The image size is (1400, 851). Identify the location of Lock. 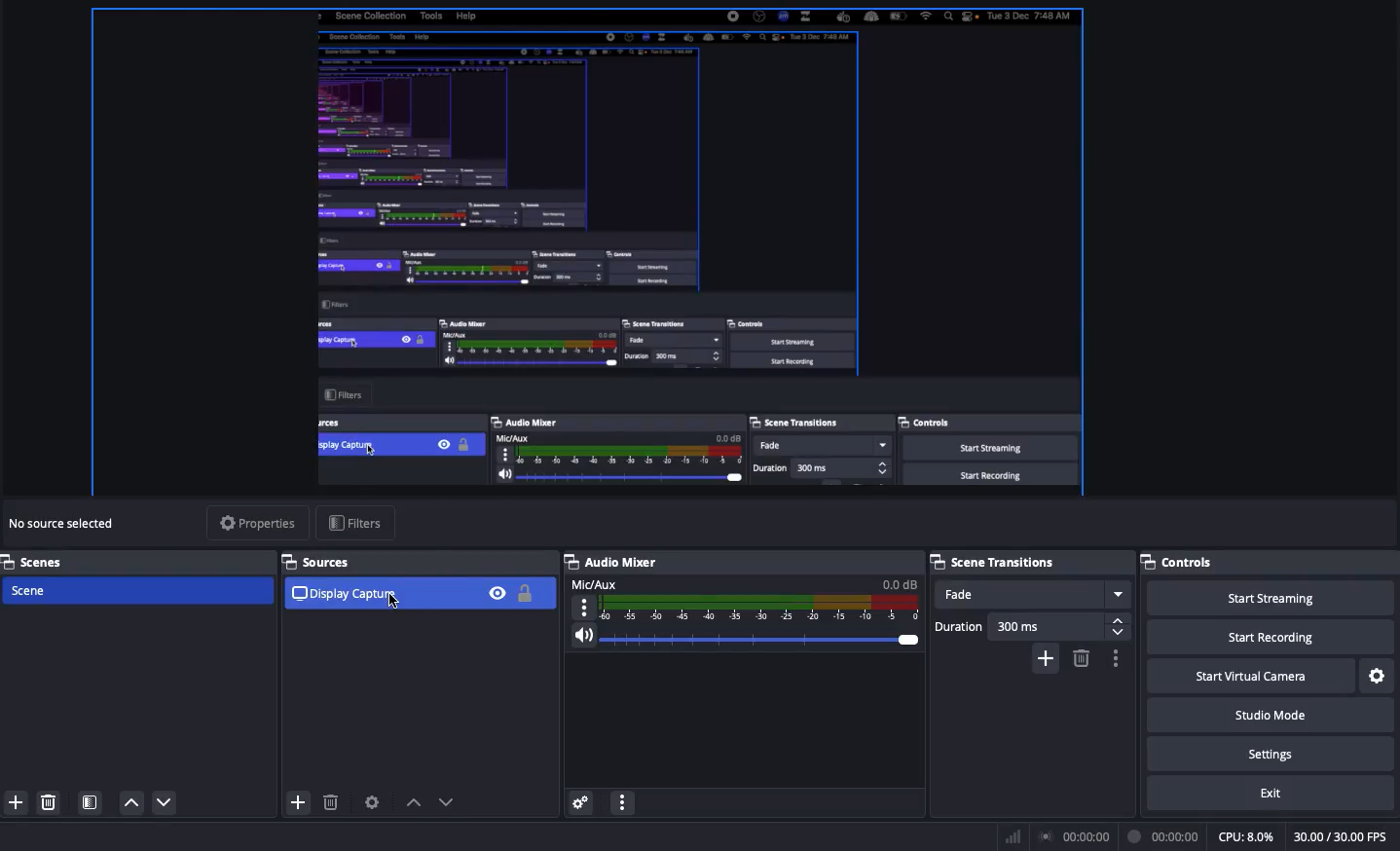
(531, 593).